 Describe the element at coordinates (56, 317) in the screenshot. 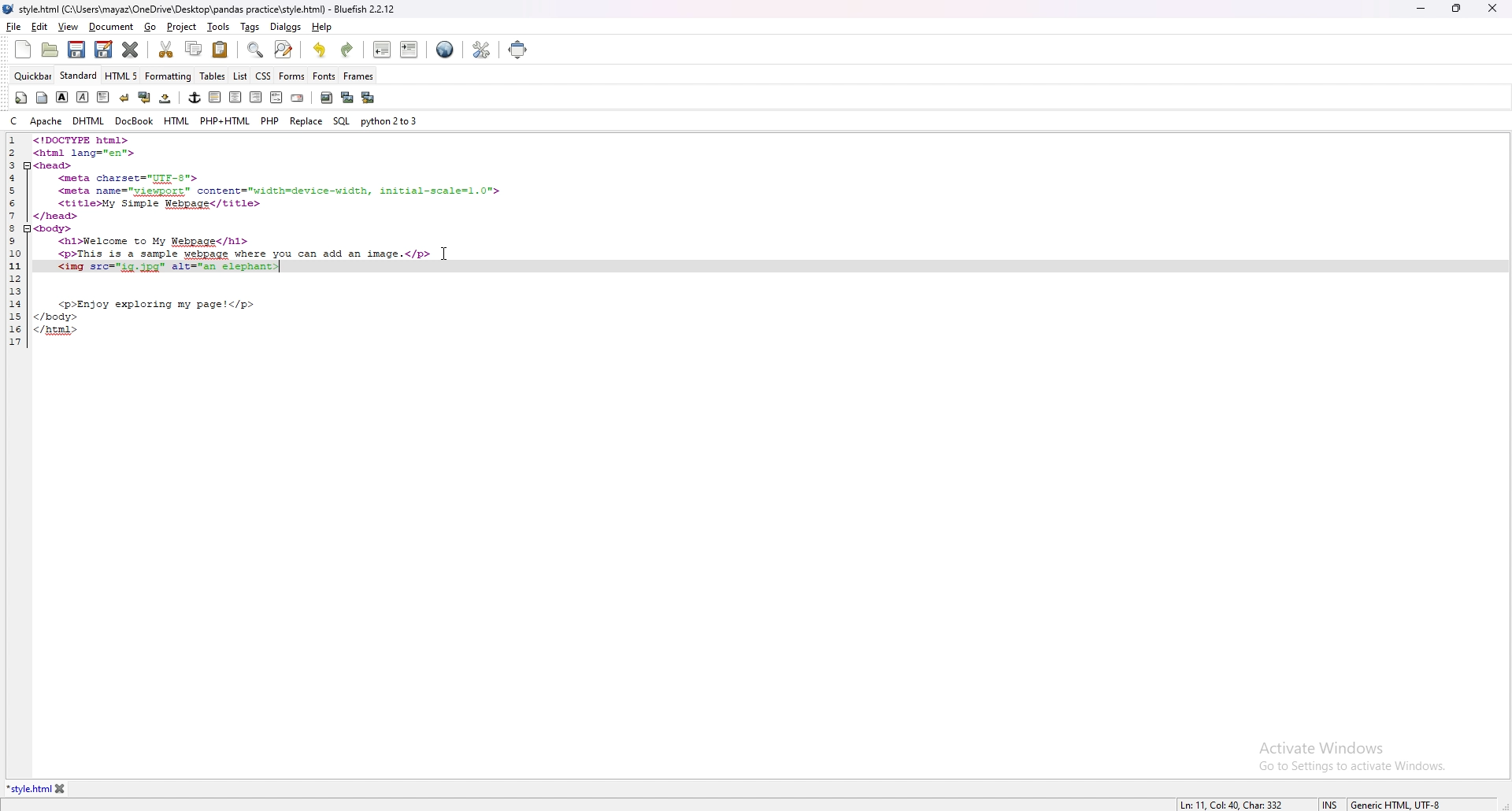

I see `</body>` at that location.